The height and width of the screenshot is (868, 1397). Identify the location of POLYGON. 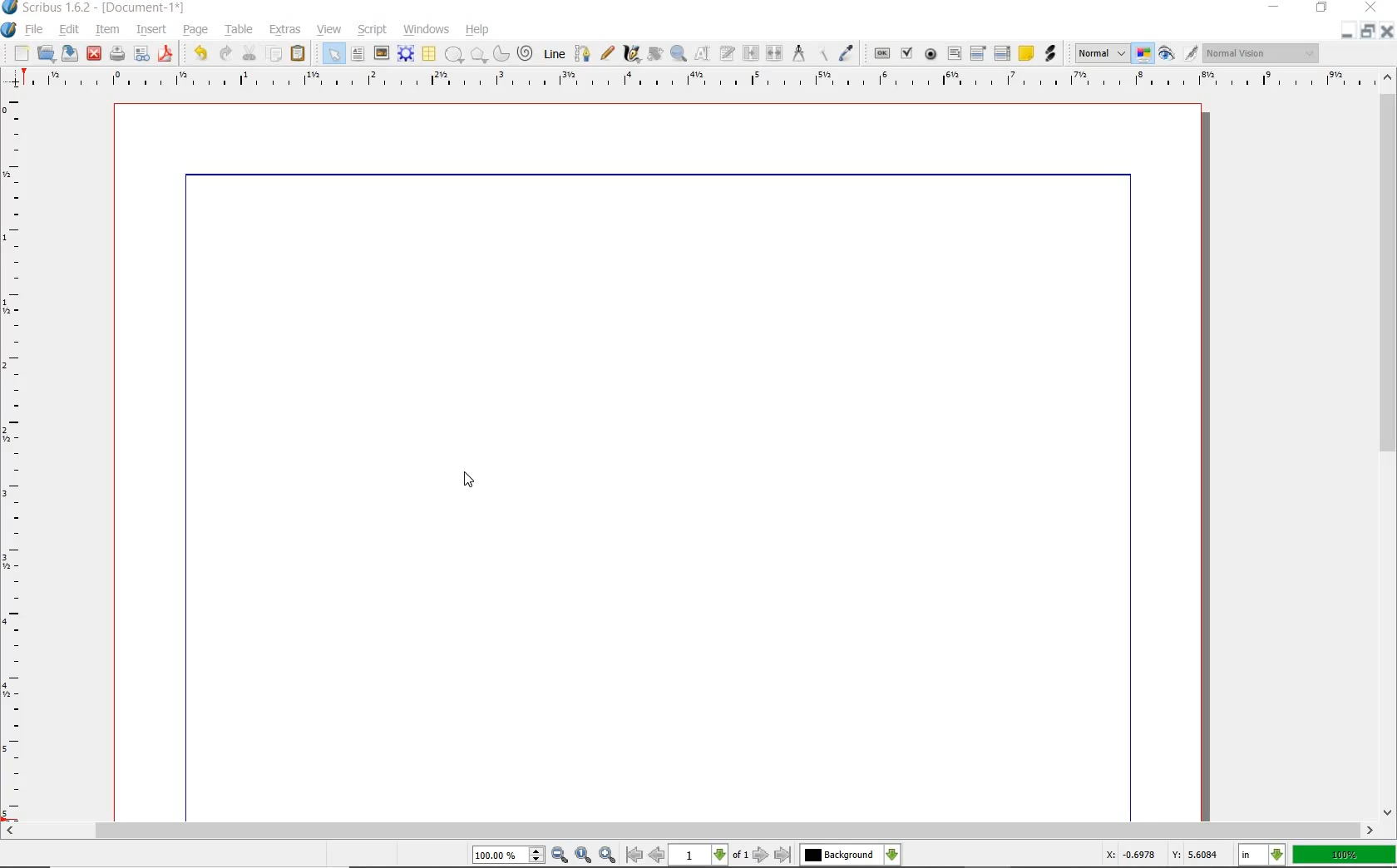
(478, 55).